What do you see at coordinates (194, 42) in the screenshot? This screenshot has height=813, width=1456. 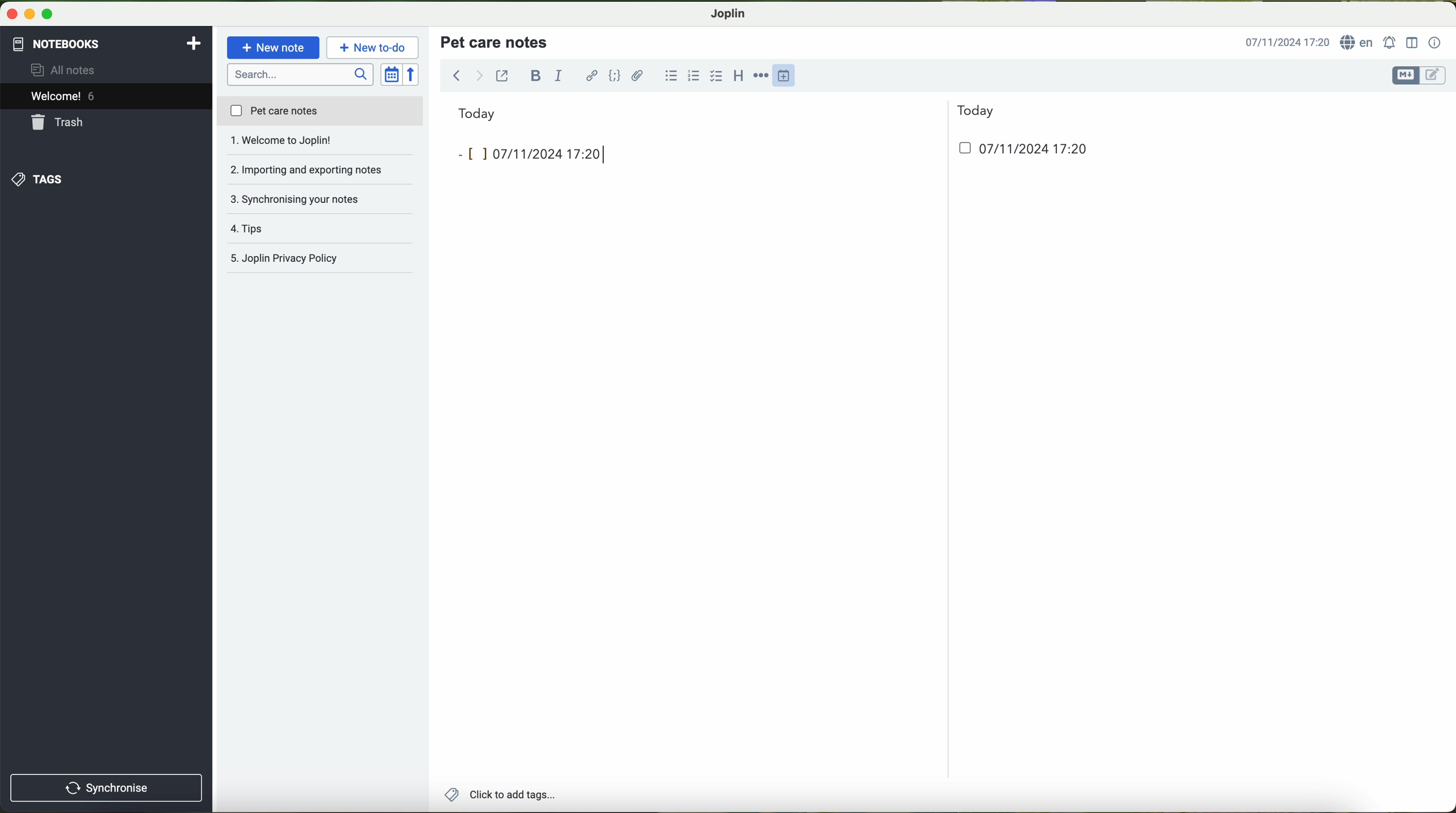 I see `add` at bounding box center [194, 42].